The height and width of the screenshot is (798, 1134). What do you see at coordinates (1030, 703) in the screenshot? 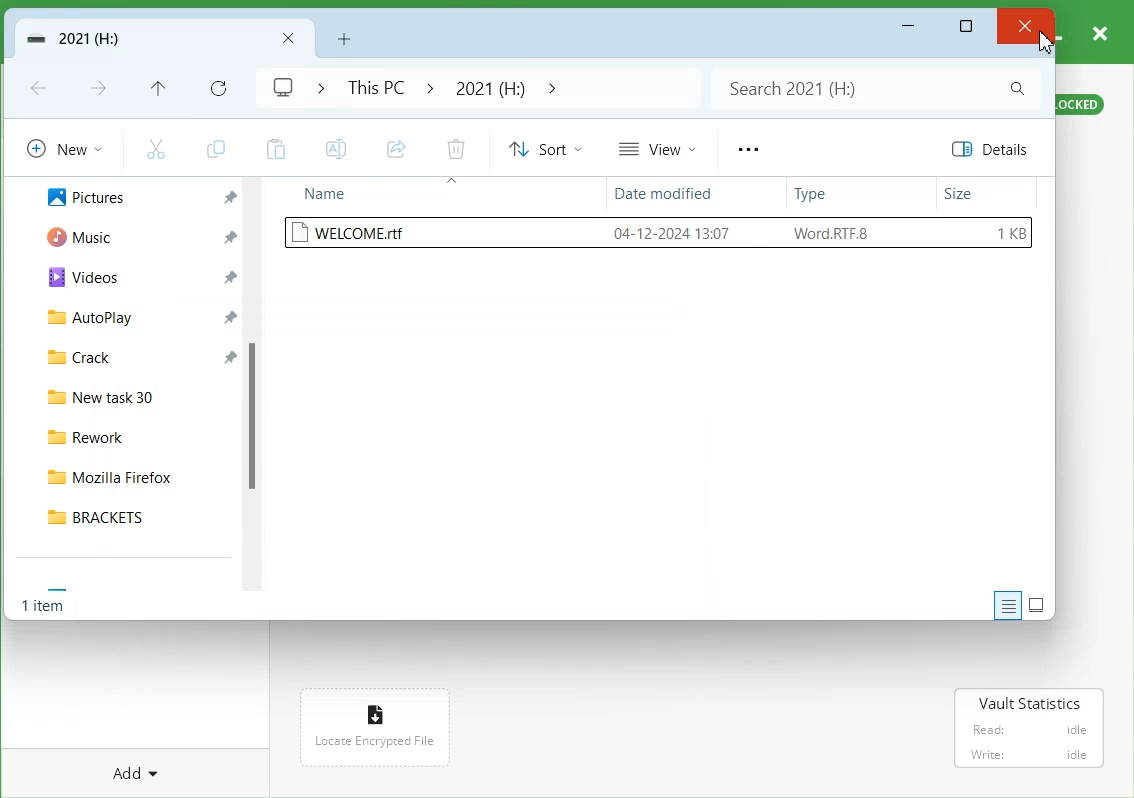
I see `Vault Statistics` at bounding box center [1030, 703].